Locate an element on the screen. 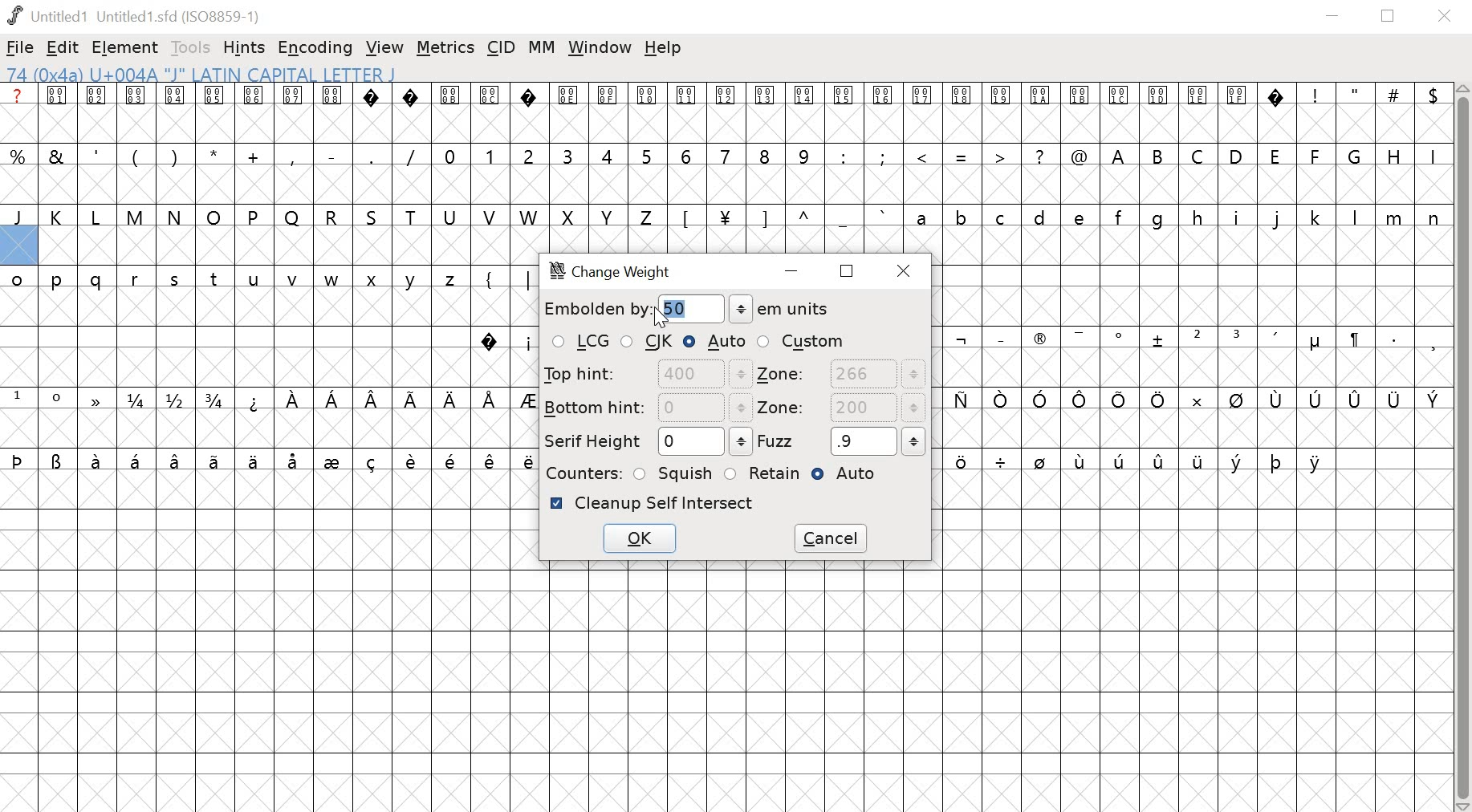  minimize is located at coordinates (1332, 17).